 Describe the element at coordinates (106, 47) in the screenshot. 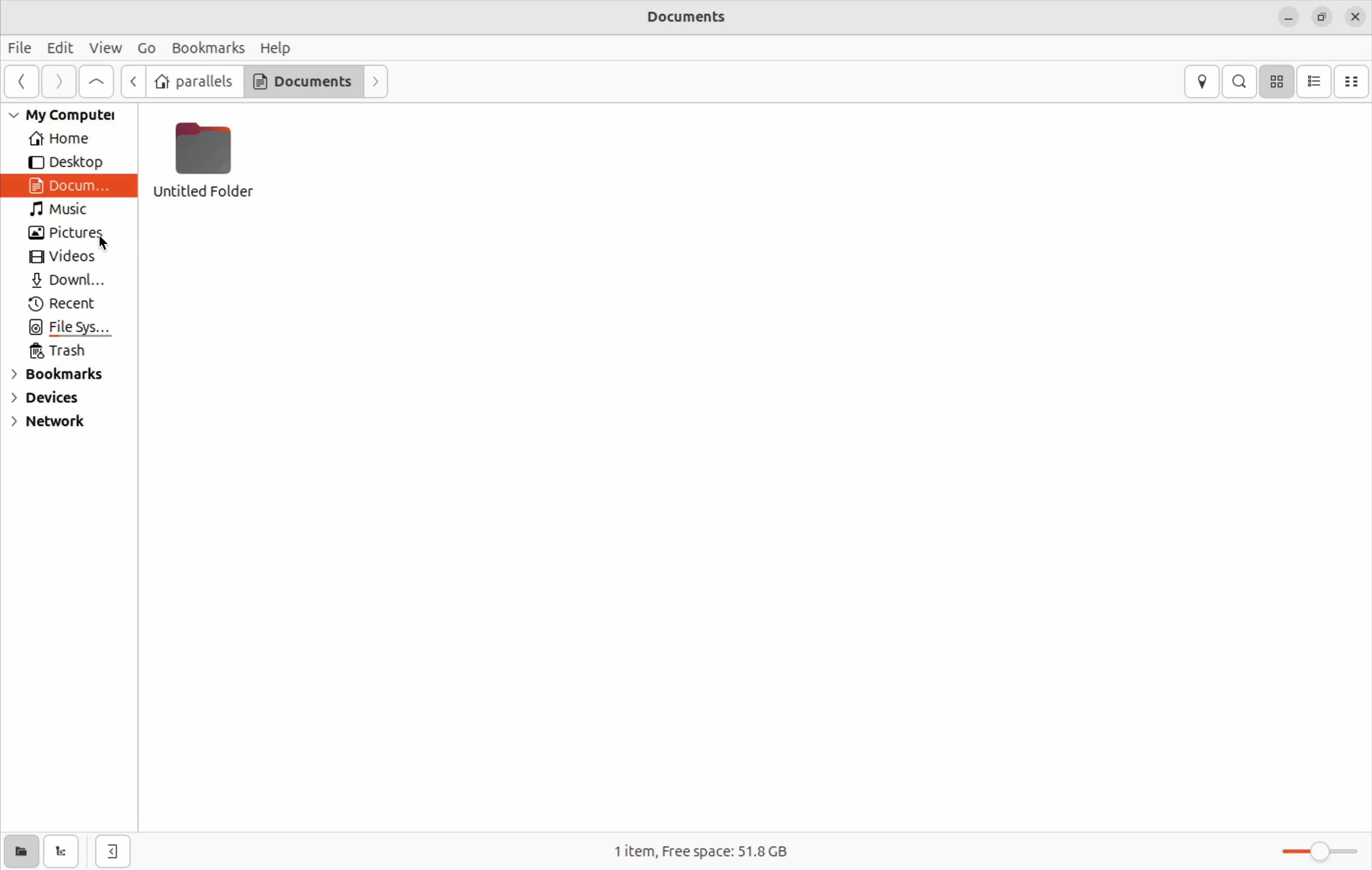

I see `View` at that location.